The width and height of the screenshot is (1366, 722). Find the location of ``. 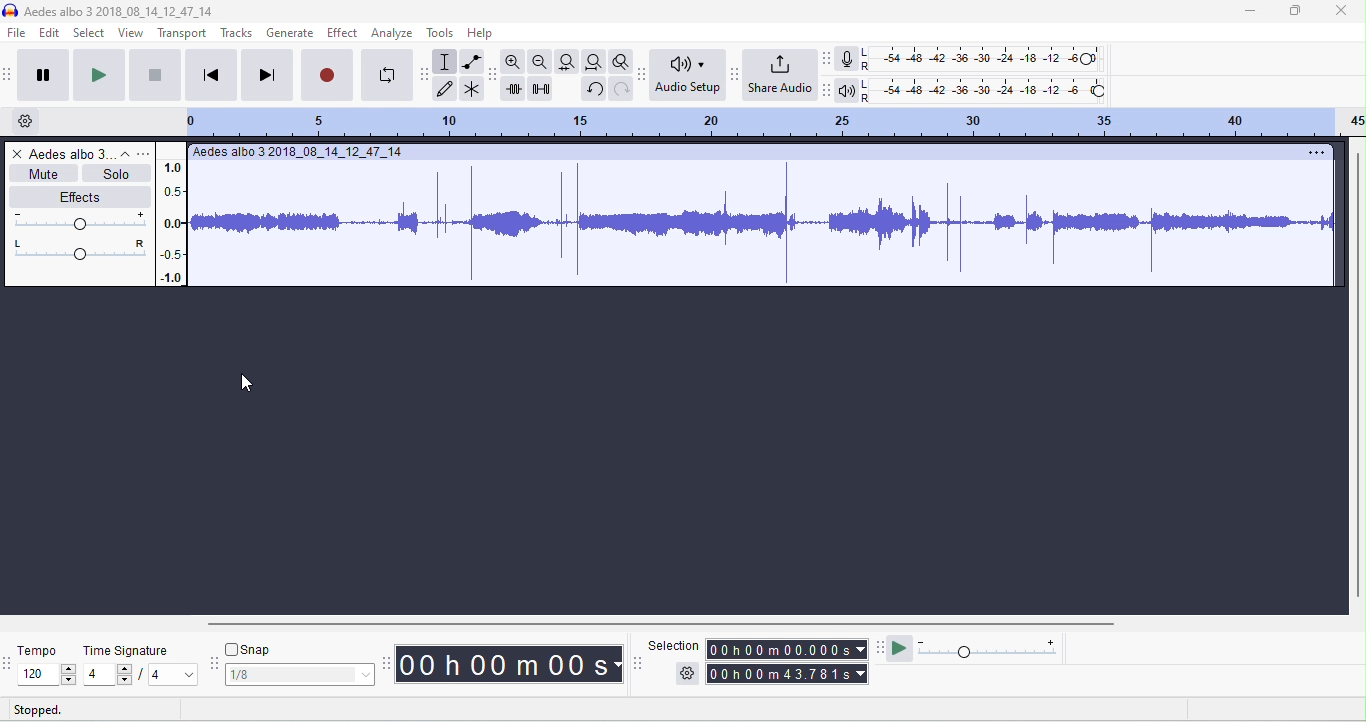

 is located at coordinates (88, 154).